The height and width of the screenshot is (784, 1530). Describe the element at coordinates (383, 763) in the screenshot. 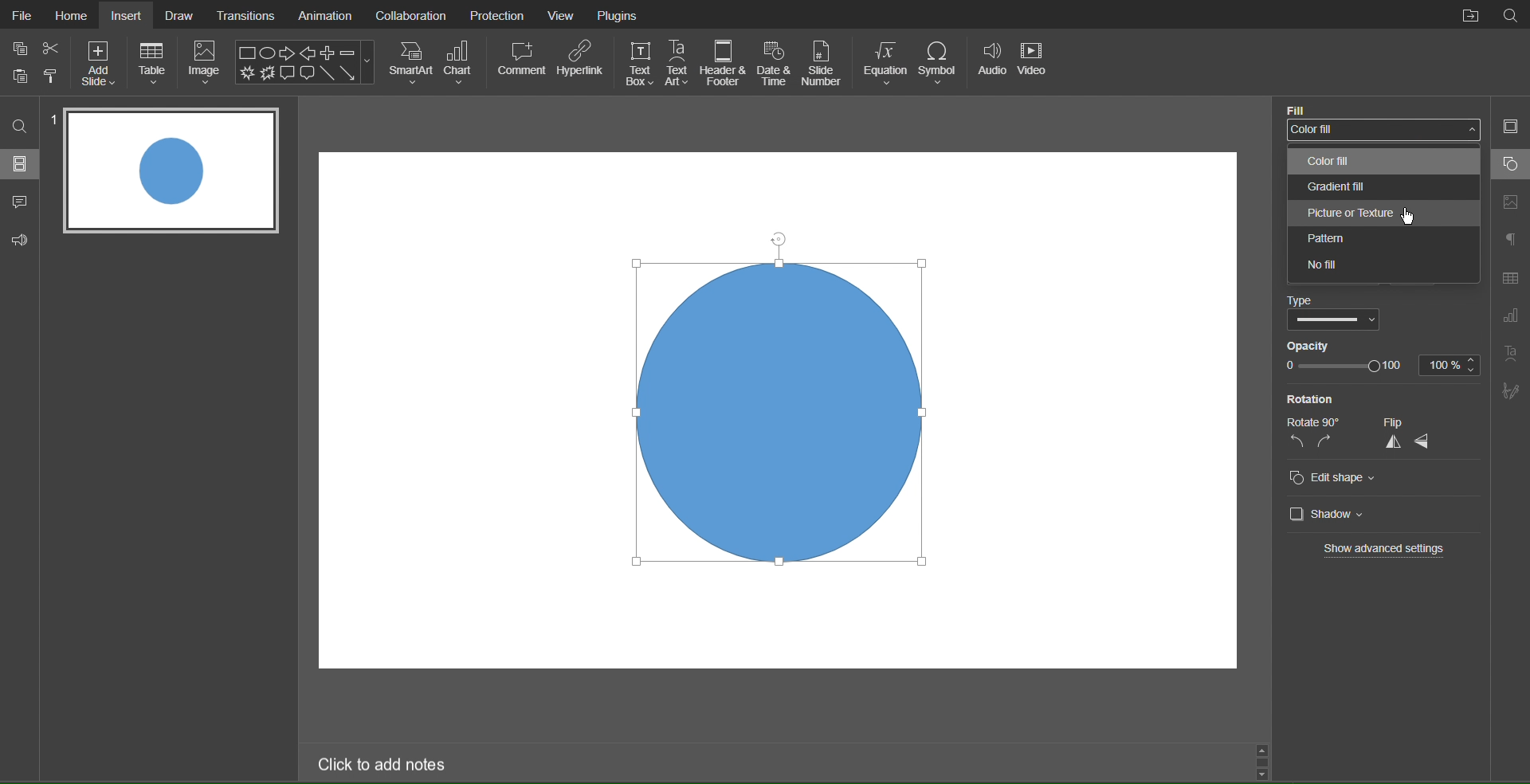

I see `Click to add notes` at that location.